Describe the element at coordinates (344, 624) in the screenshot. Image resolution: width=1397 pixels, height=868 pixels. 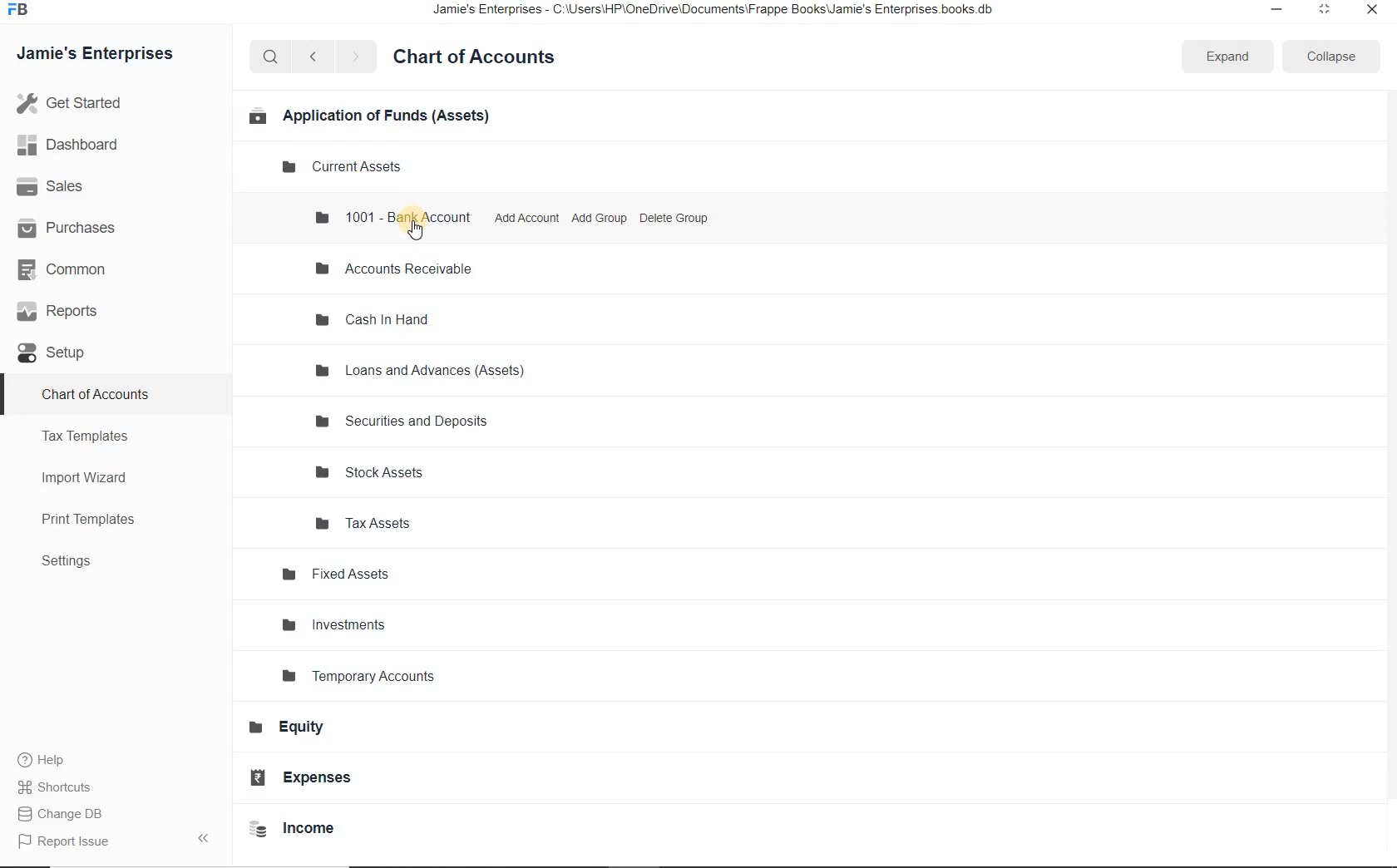
I see `Investments` at that location.